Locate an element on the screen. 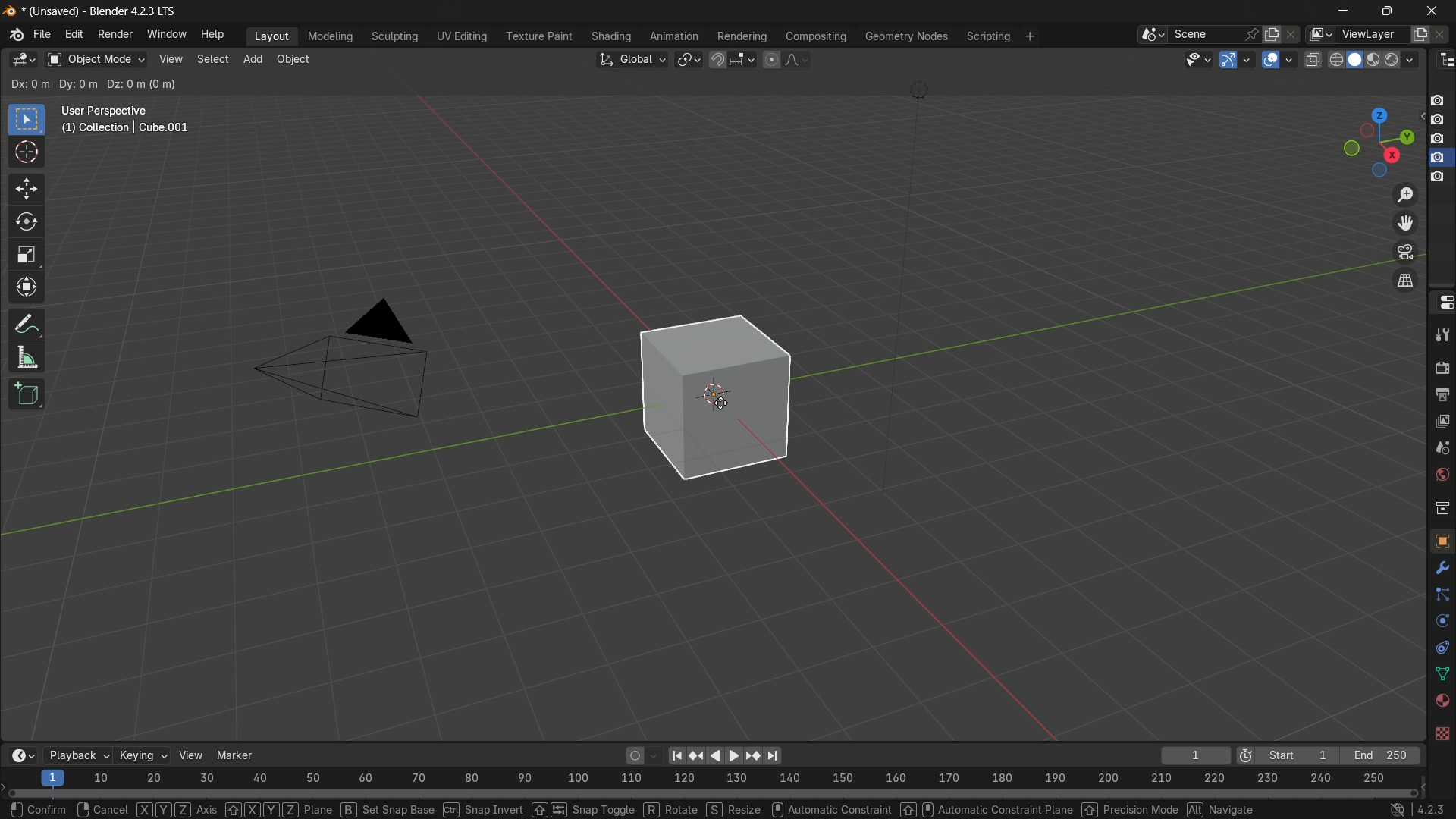 The width and height of the screenshot is (1456, 819). move is located at coordinates (26, 187).